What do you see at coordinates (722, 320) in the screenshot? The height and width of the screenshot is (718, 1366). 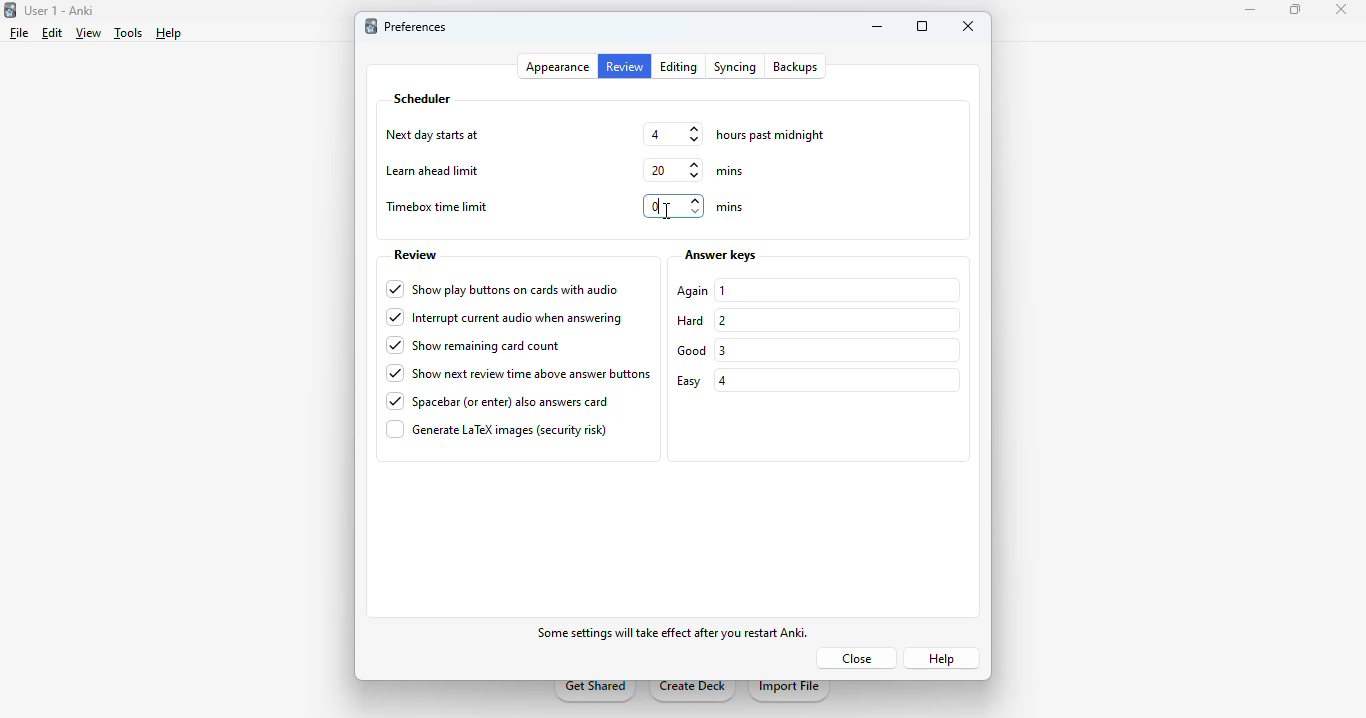 I see `2` at bounding box center [722, 320].